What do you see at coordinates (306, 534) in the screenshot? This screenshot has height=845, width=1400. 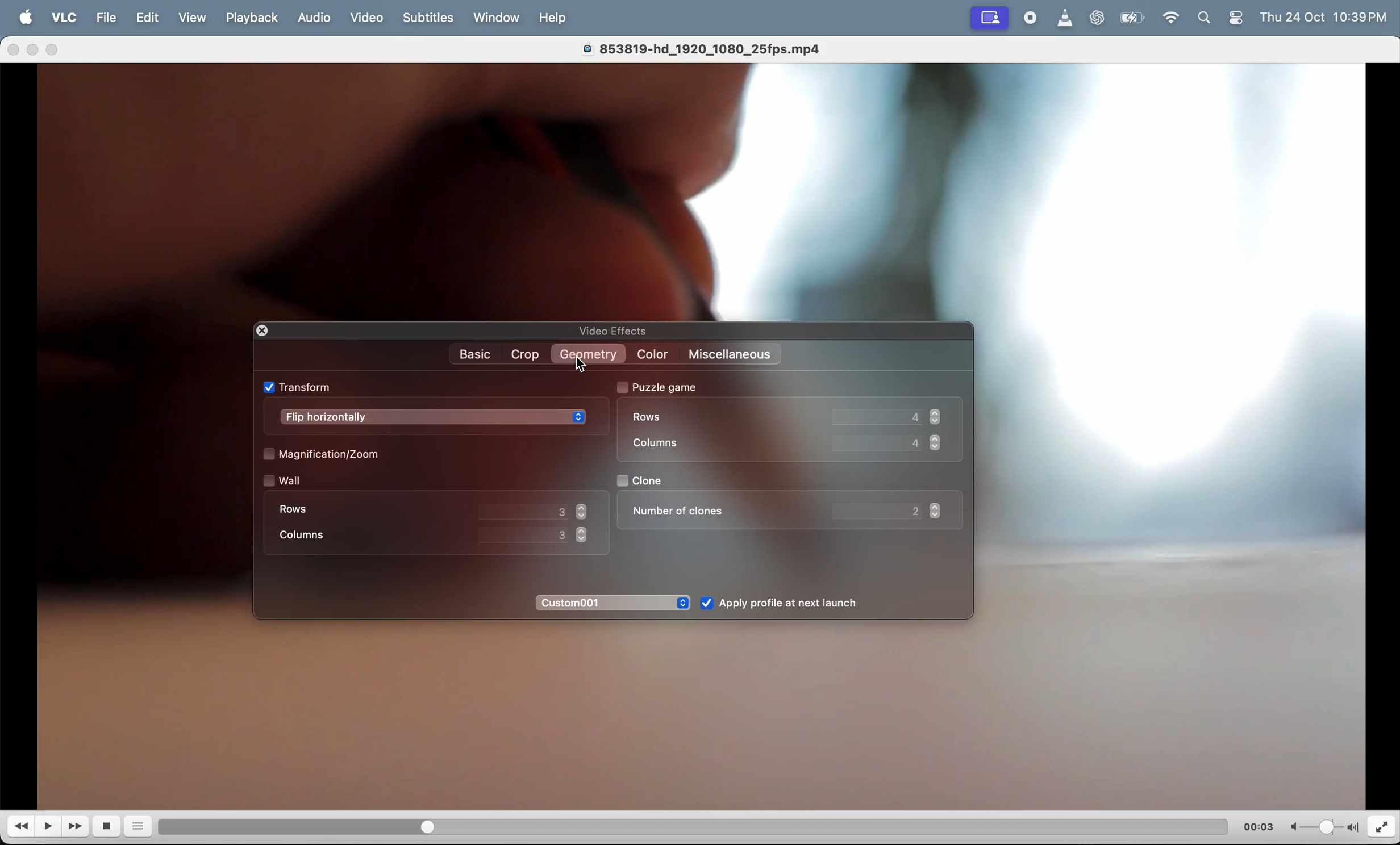 I see `coloumn` at bounding box center [306, 534].